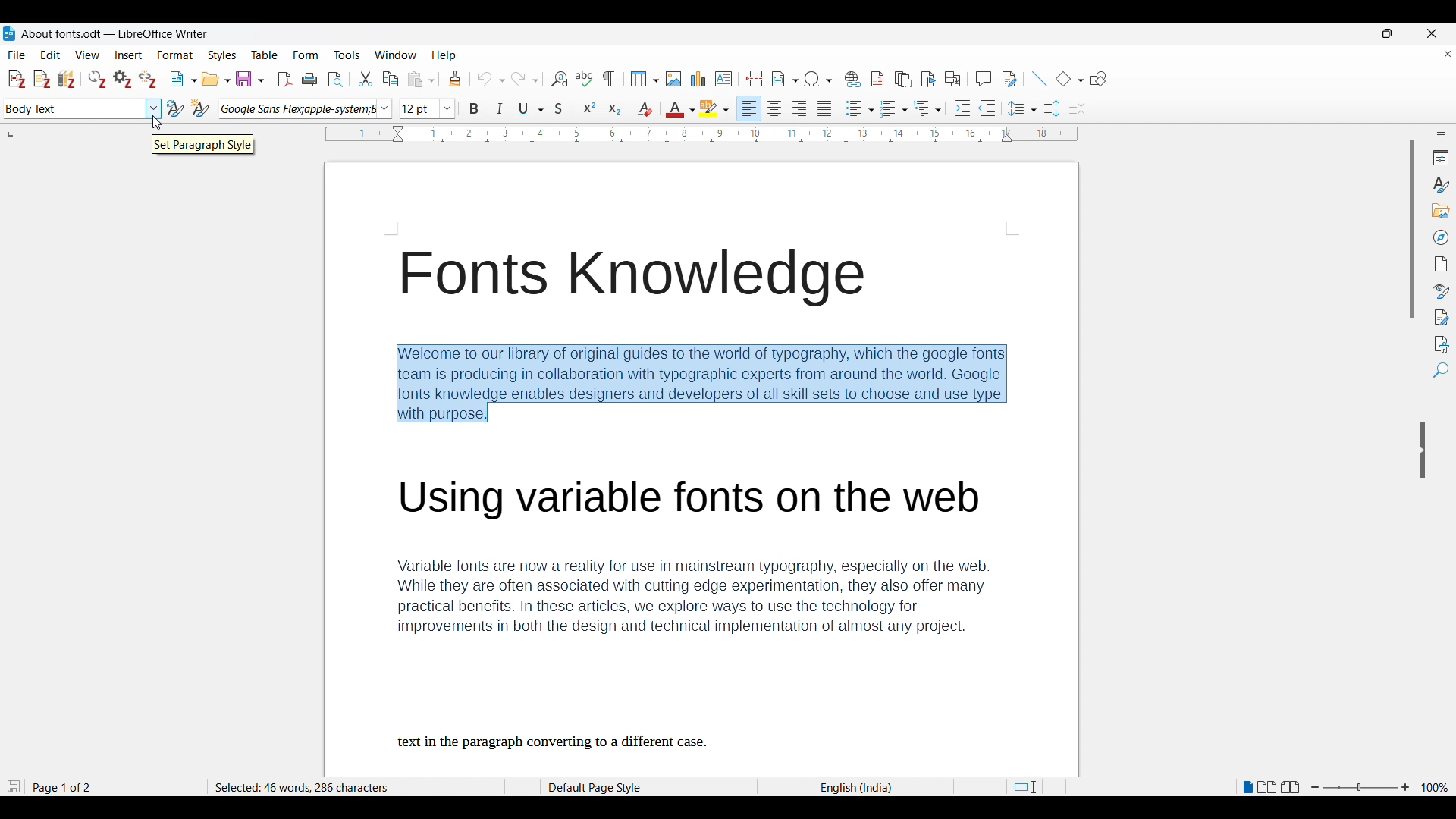 The height and width of the screenshot is (819, 1456). I want to click on File menu, so click(16, 55).